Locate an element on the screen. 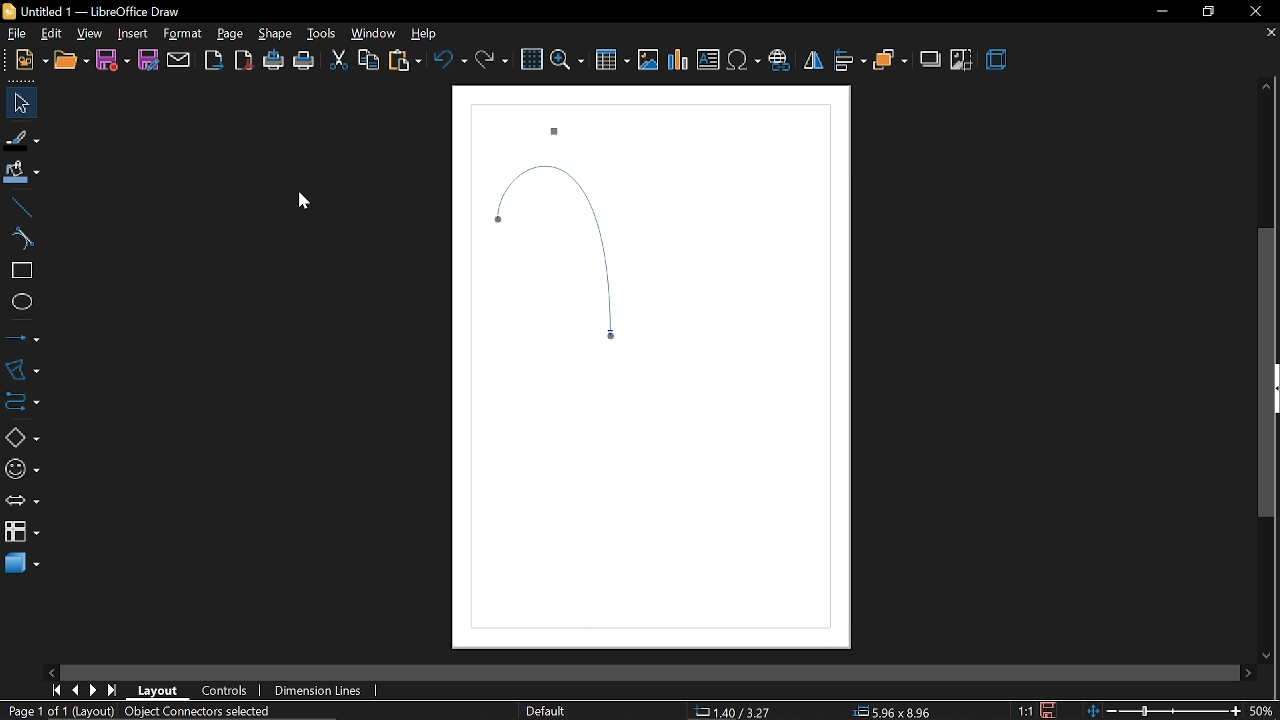  curve is located at coordinates (20, 239).